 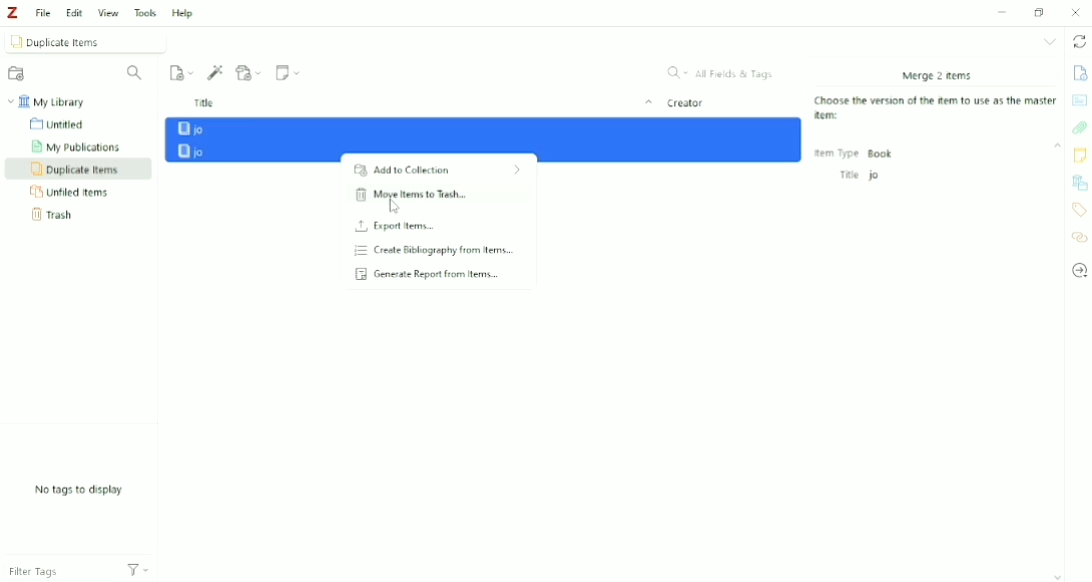 I want to click on Title, so click(x=421, y=103).